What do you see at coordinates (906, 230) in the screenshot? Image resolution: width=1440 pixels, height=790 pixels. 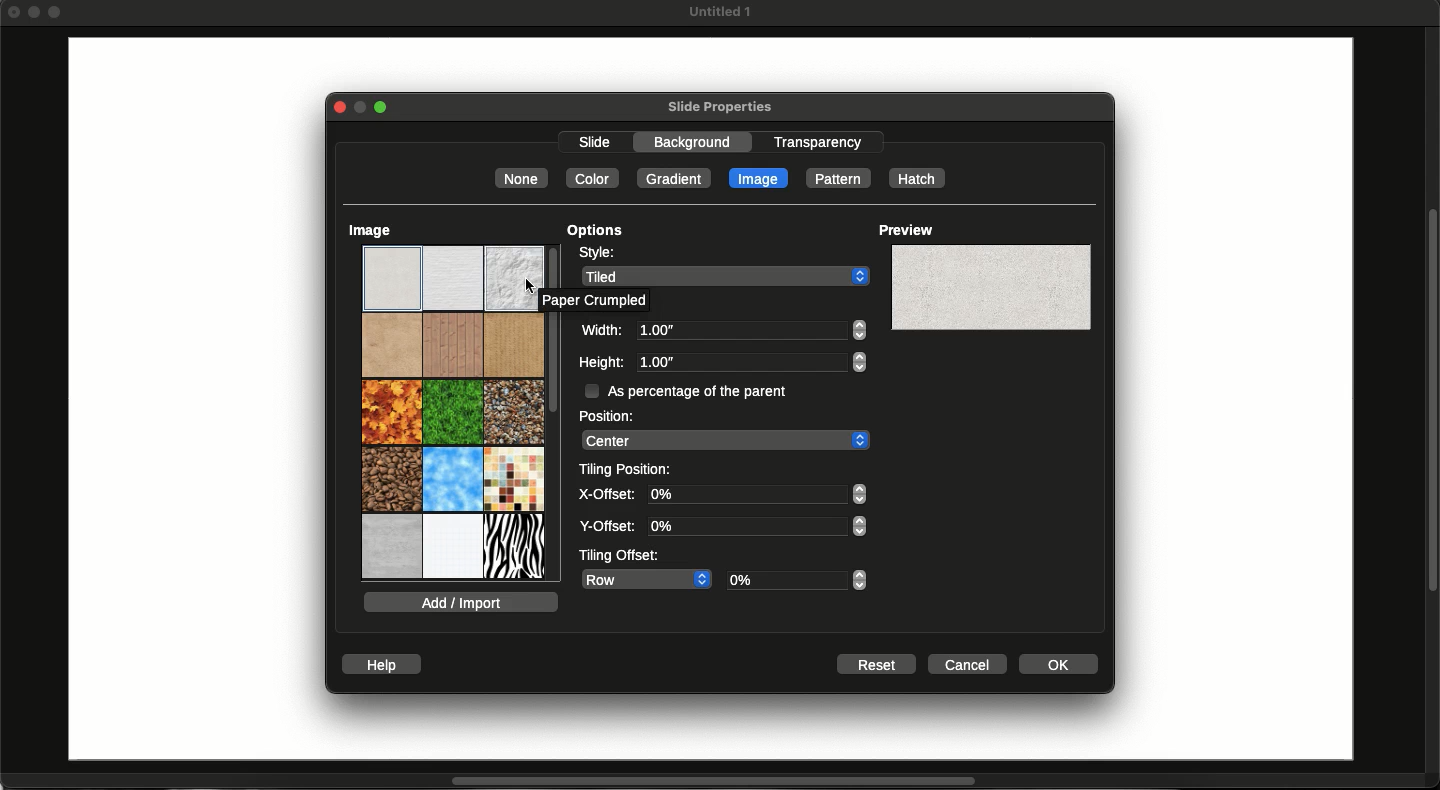 I see `Preview` at bounding box center [906, 230].